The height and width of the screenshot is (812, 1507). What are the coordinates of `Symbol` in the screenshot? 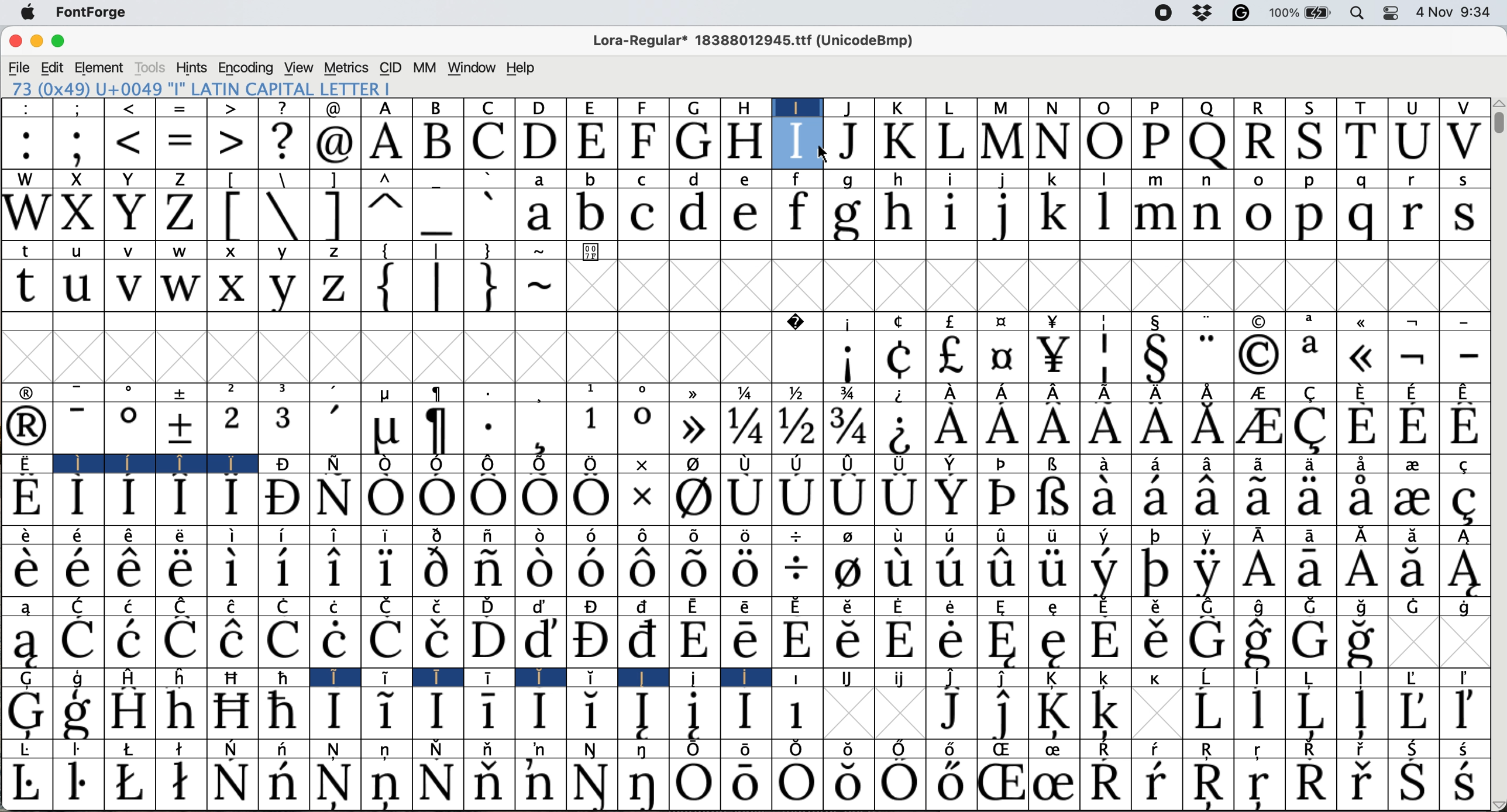 It's located at (439, 463).